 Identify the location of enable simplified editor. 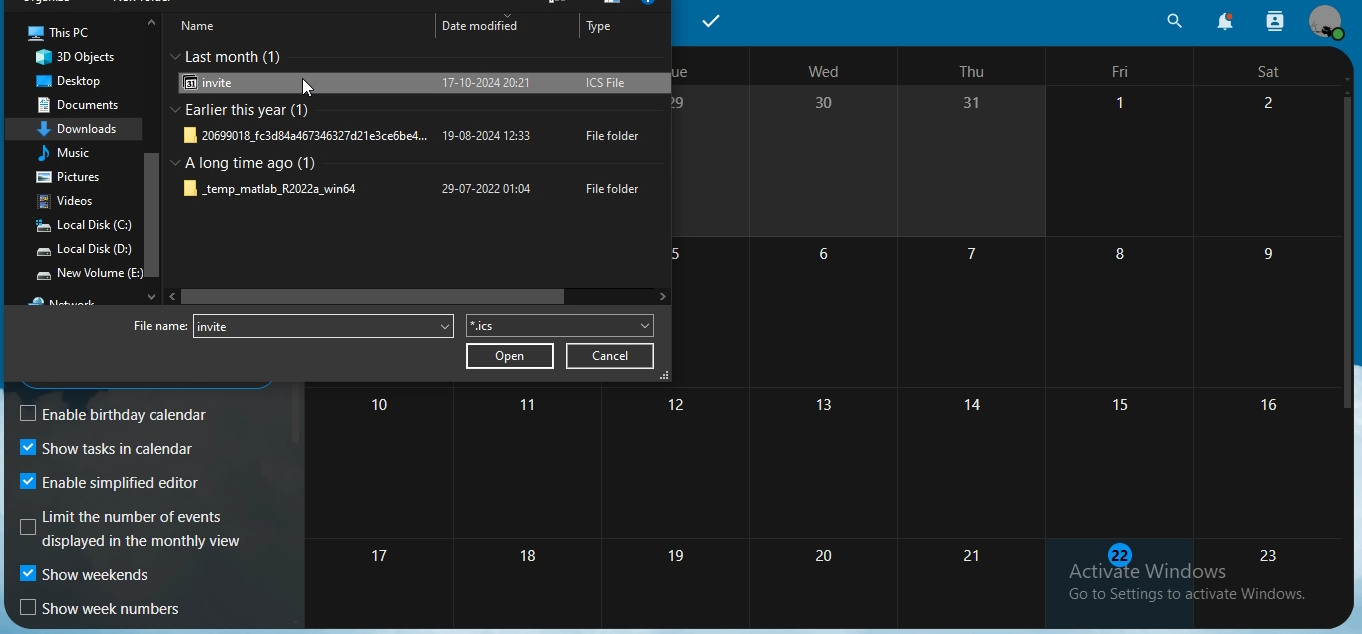
(118, 481).